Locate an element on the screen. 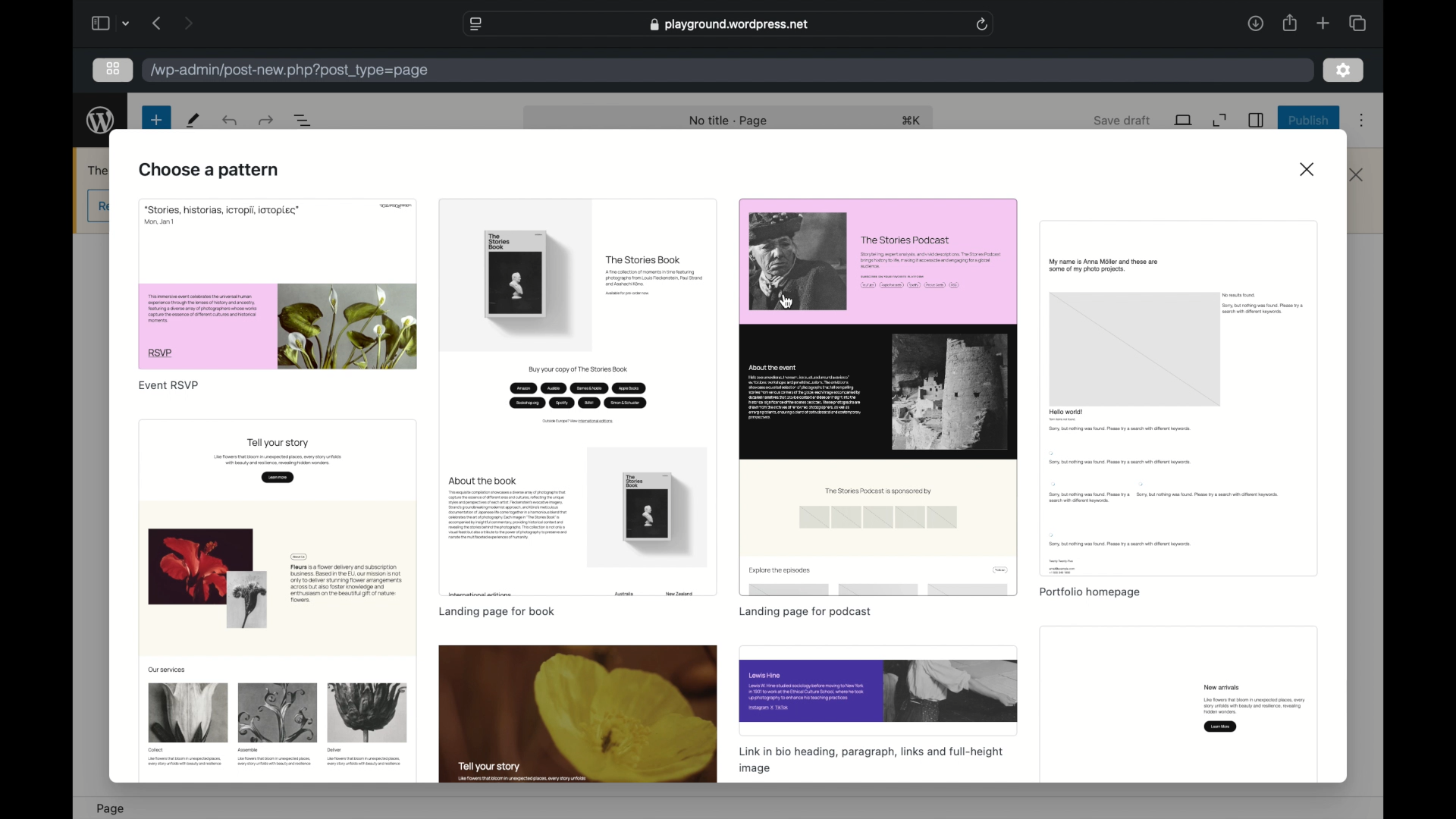 The height and width of the screenshot is (819, 1456). preview is located at coordinates (881, 691).